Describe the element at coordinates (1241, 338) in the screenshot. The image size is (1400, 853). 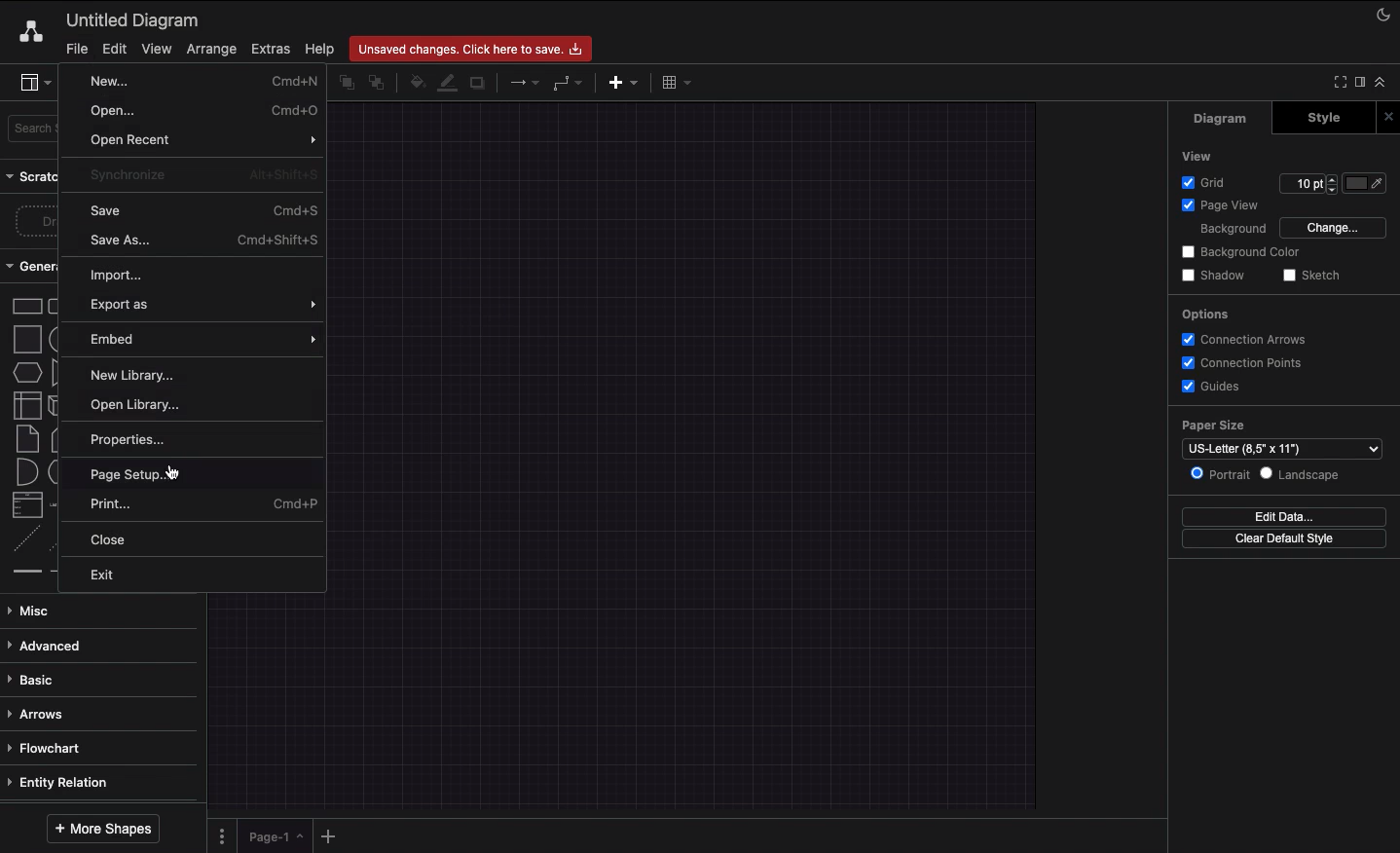
I see `Correction arrows` at that location.